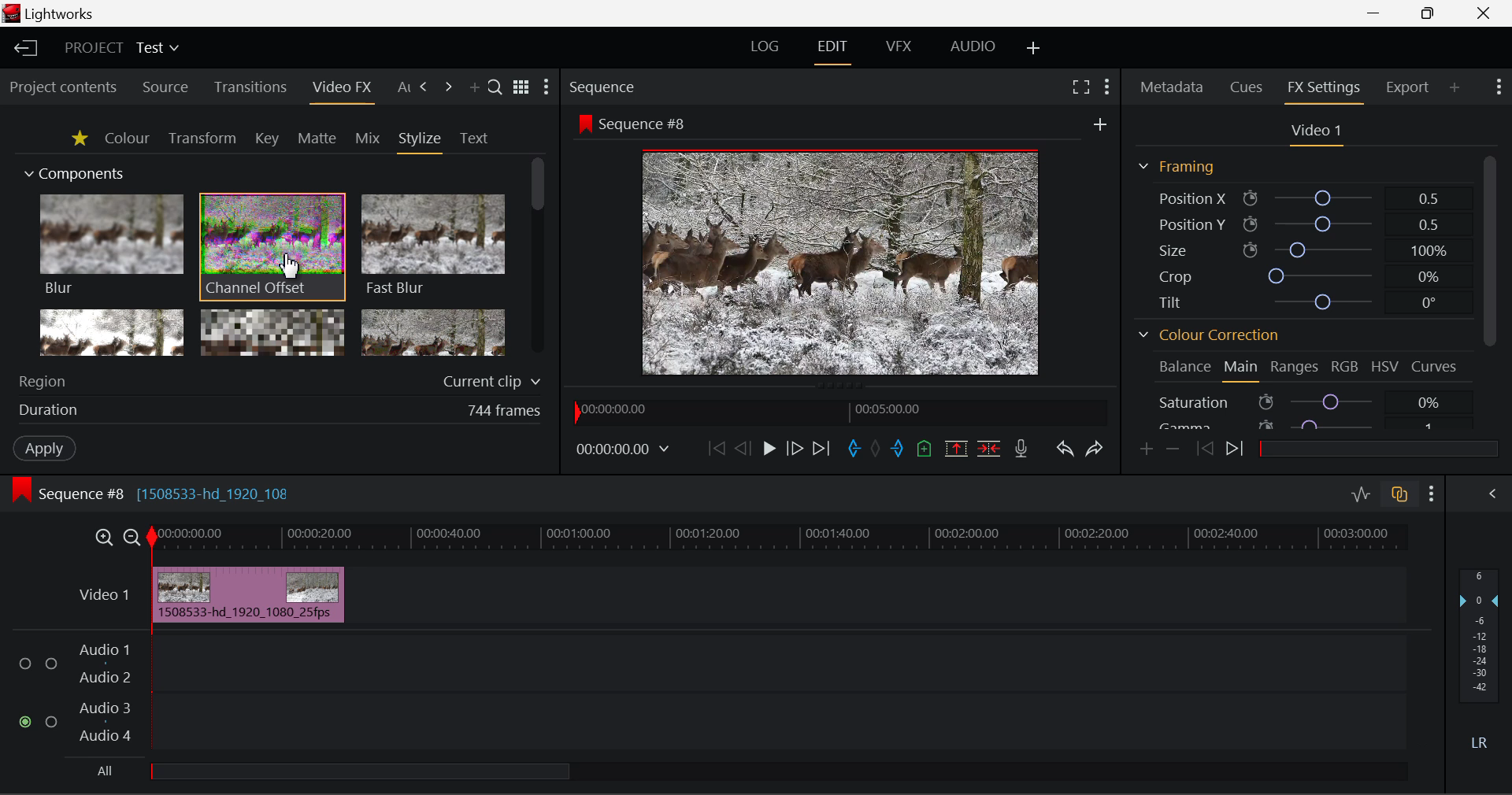 The height and width of the screenshot is (795, 1512). What do you see at coordinates (975, 50) in the screenshot?
I see `AUDIO Layout` at bounding box center [975, 50].